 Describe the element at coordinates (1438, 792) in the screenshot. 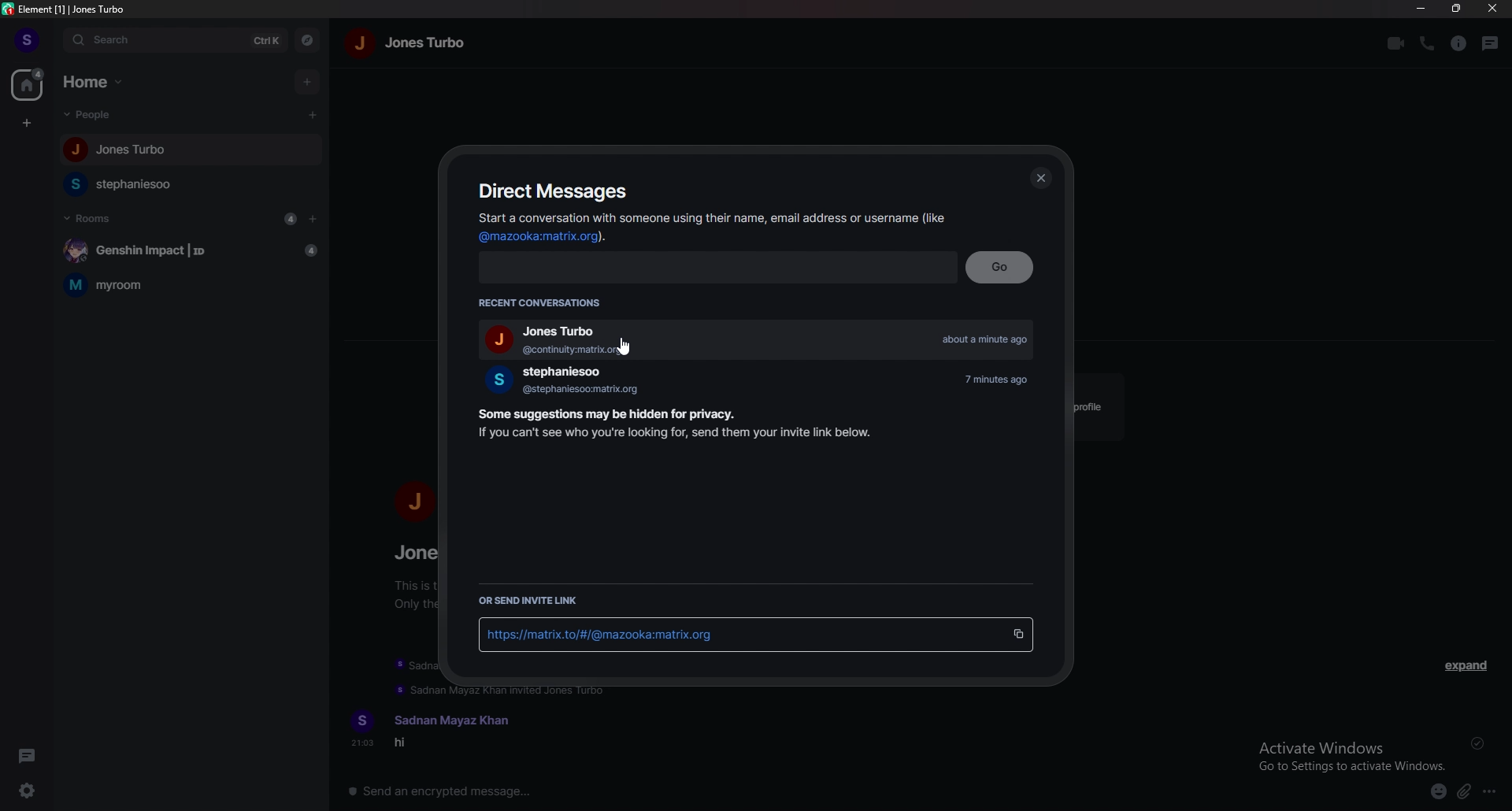

I see `emoji` at that location.